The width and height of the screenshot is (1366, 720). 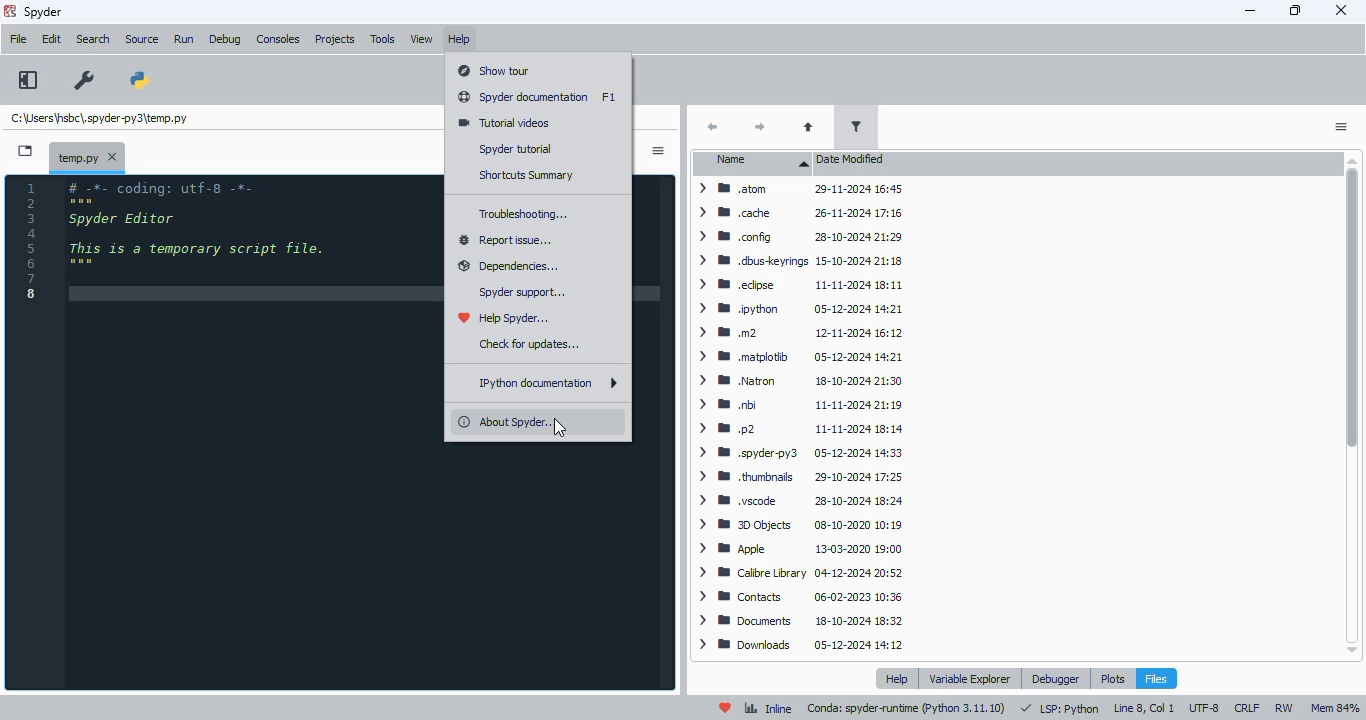 What do you see at coordinates (515, 149) in the screenshot?
I see `spyder tutorial` at bounding box center [515, 149].